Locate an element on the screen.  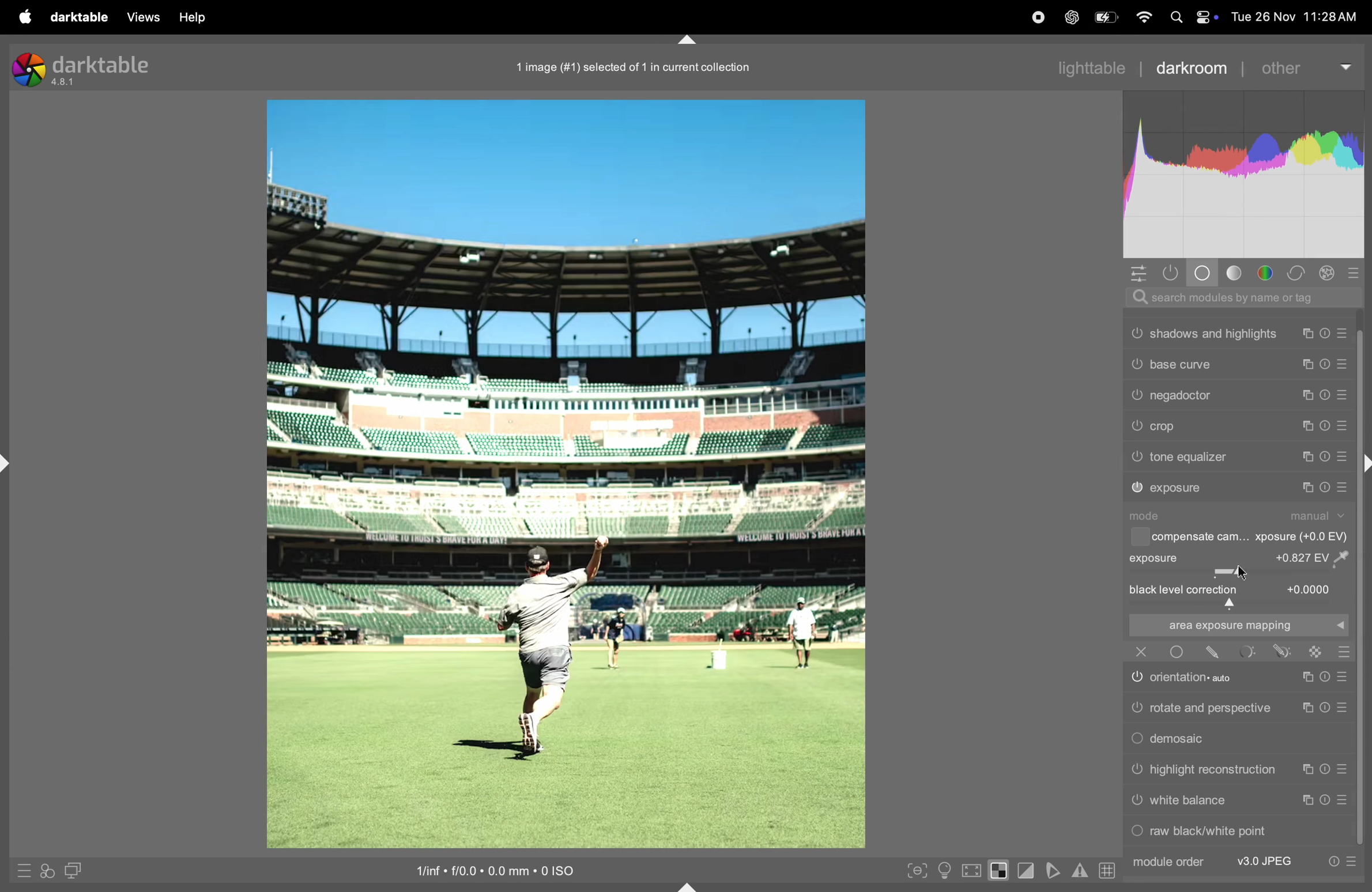
quick access panel is located at coordinates (1138, 273).